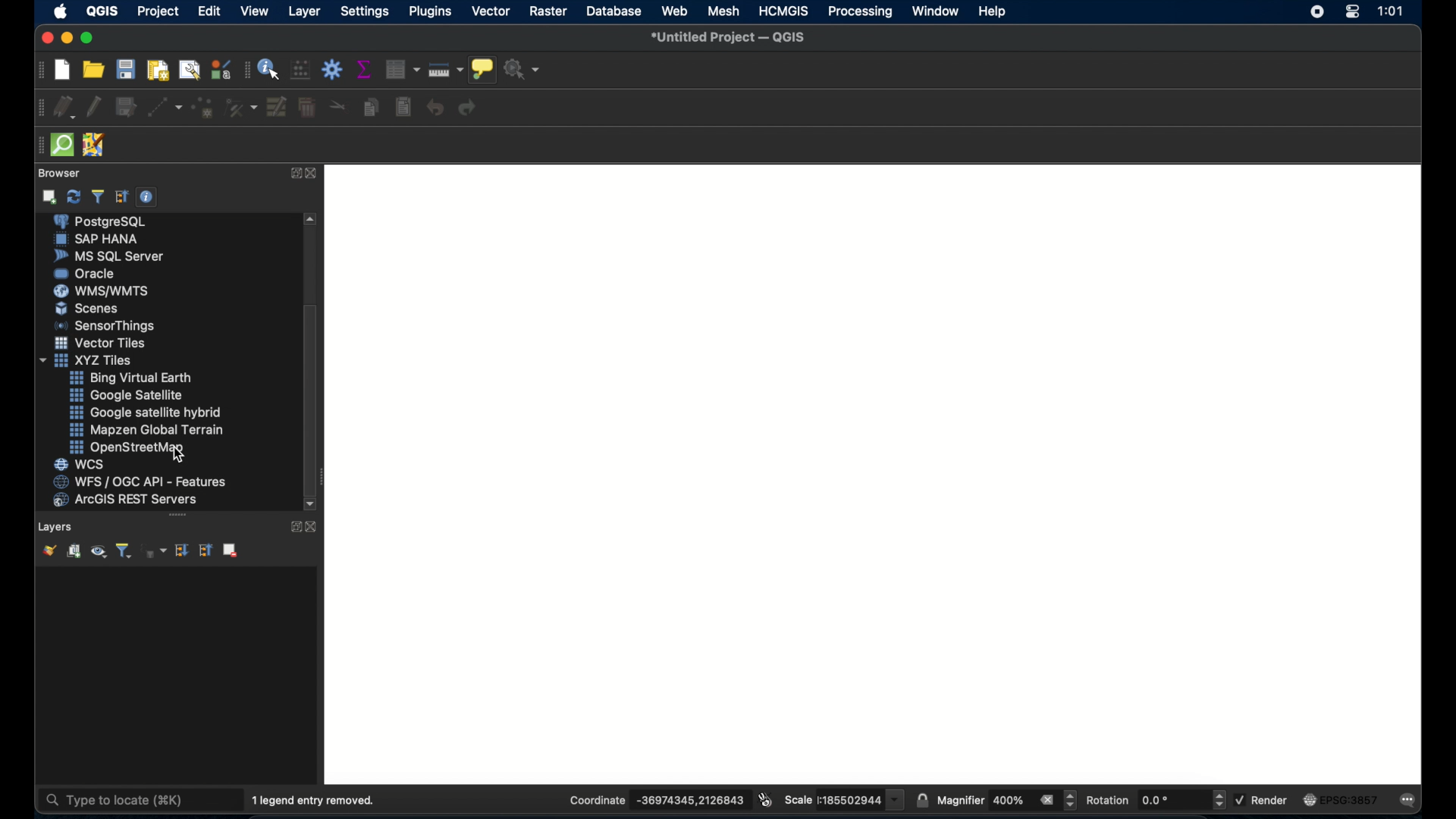 The height and width of the screenshot is (819, 1456). What do you see at coordinates (674, 12) in the screenshot?
I see `web` at bounding box center [674, 12].